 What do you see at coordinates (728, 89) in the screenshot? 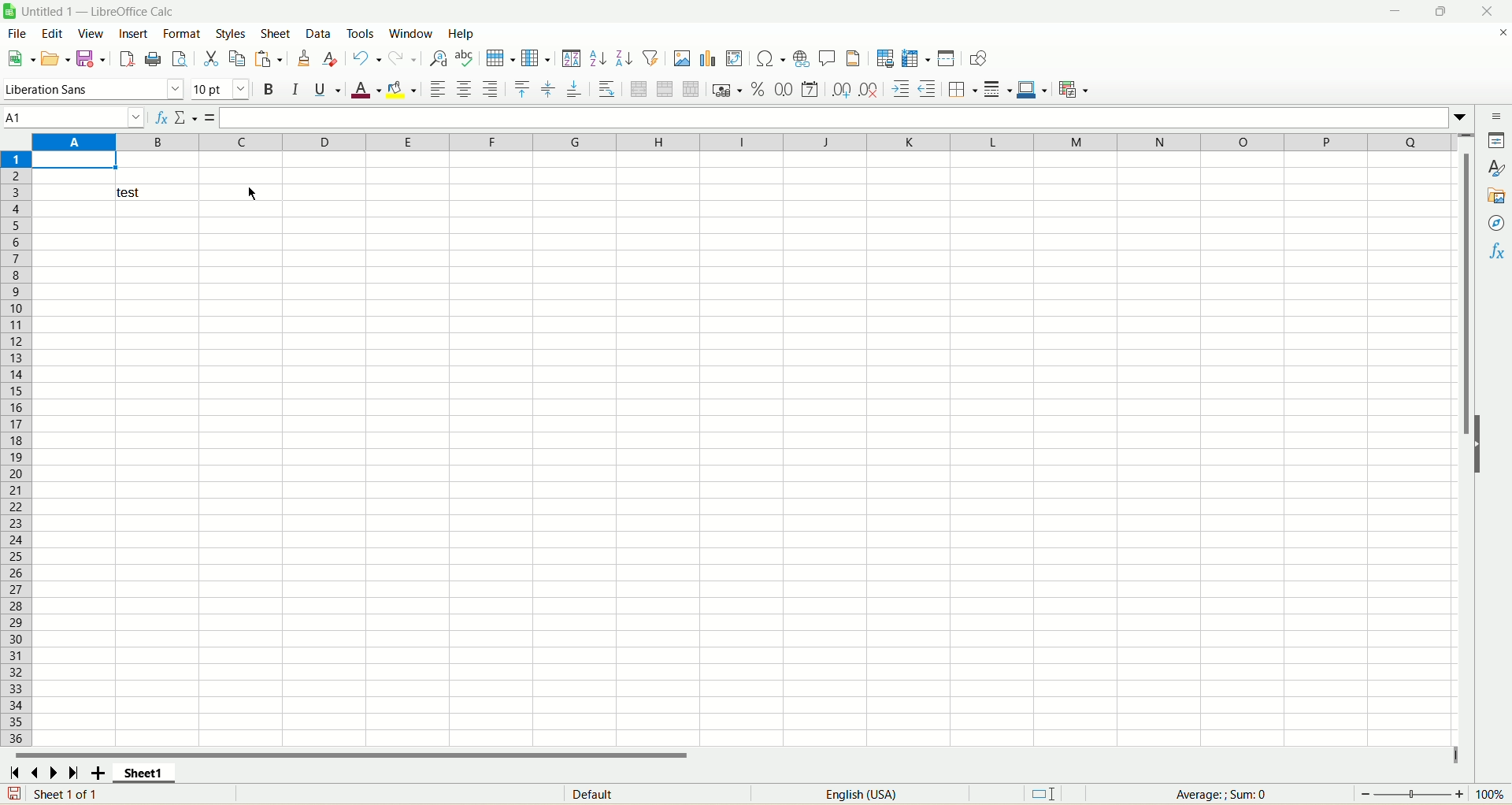
I see `format as currency` at bounding box center [728, 89].